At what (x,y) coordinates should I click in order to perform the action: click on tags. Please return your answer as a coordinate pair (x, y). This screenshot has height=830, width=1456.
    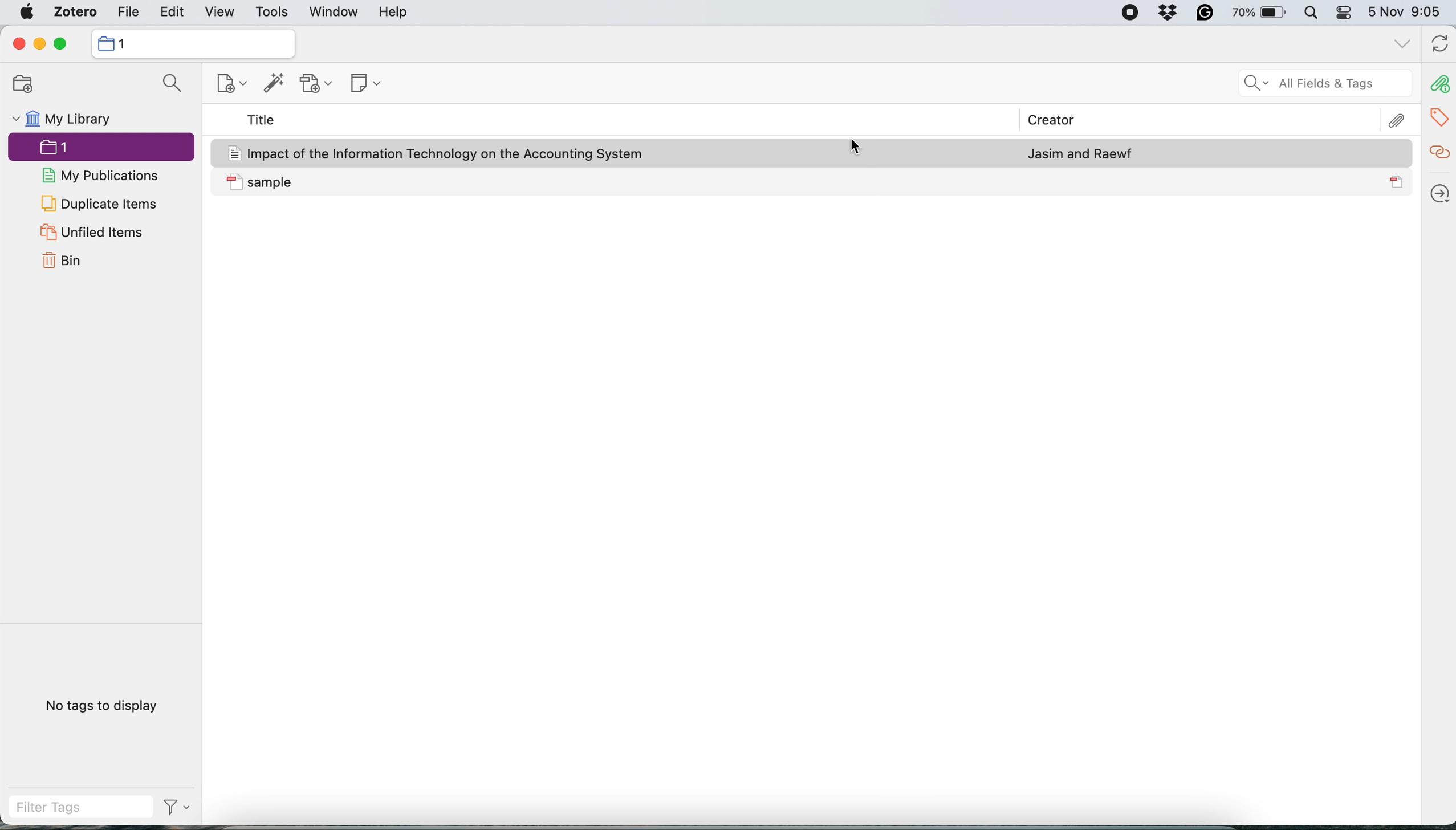
    Looking at the image, I should click on (1441, 115).